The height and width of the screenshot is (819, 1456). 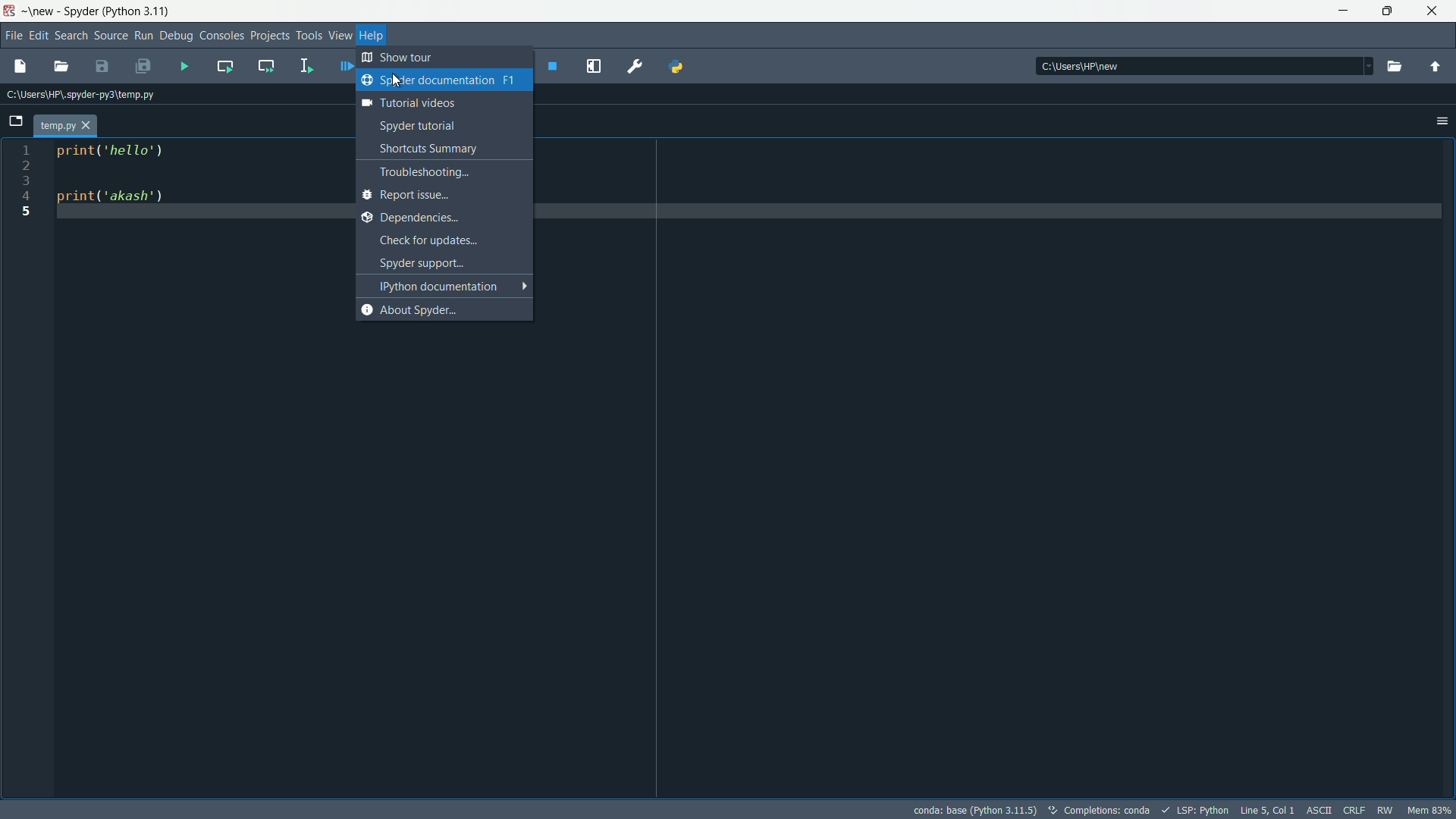 I want to click on python 3.11, so click(x=140, y=11).